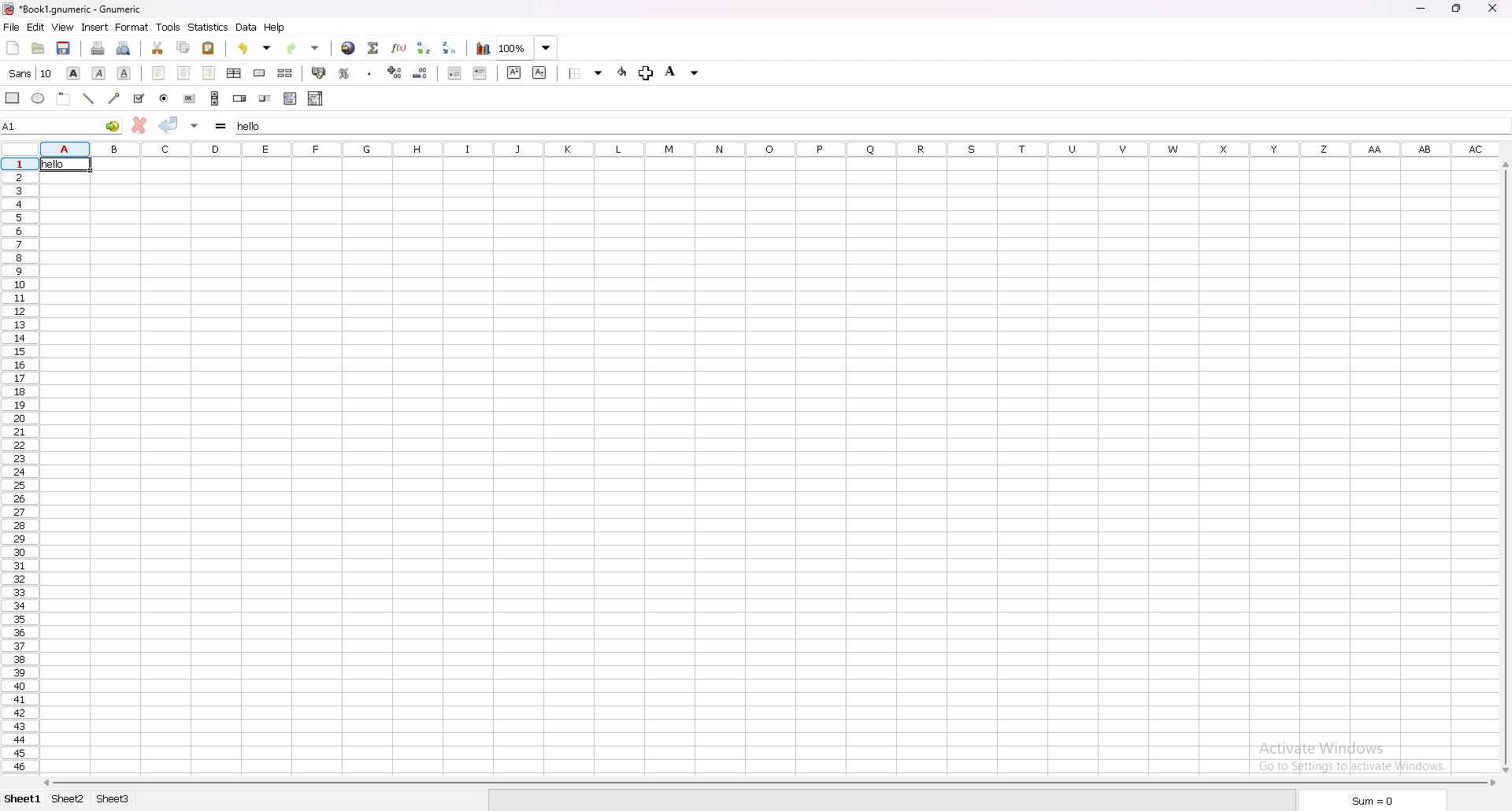 The image size is (1512, 811). Describe the element at coordinates (14, 98) in the screenshot. I see `rectangle` at that location.